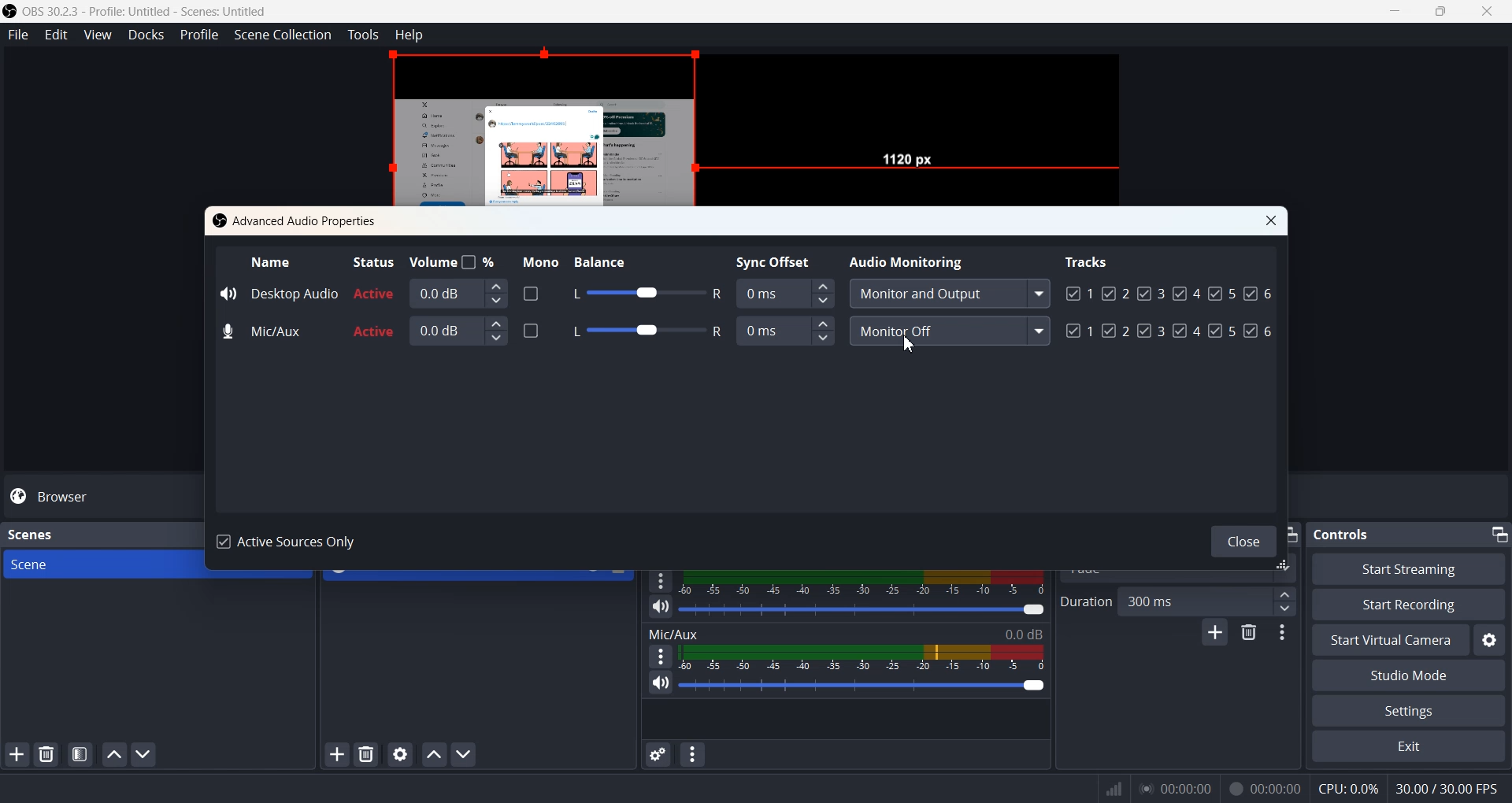 This screenshot has height=803, width=1512. I want to click on Volume adjuster, so click(865, 609).